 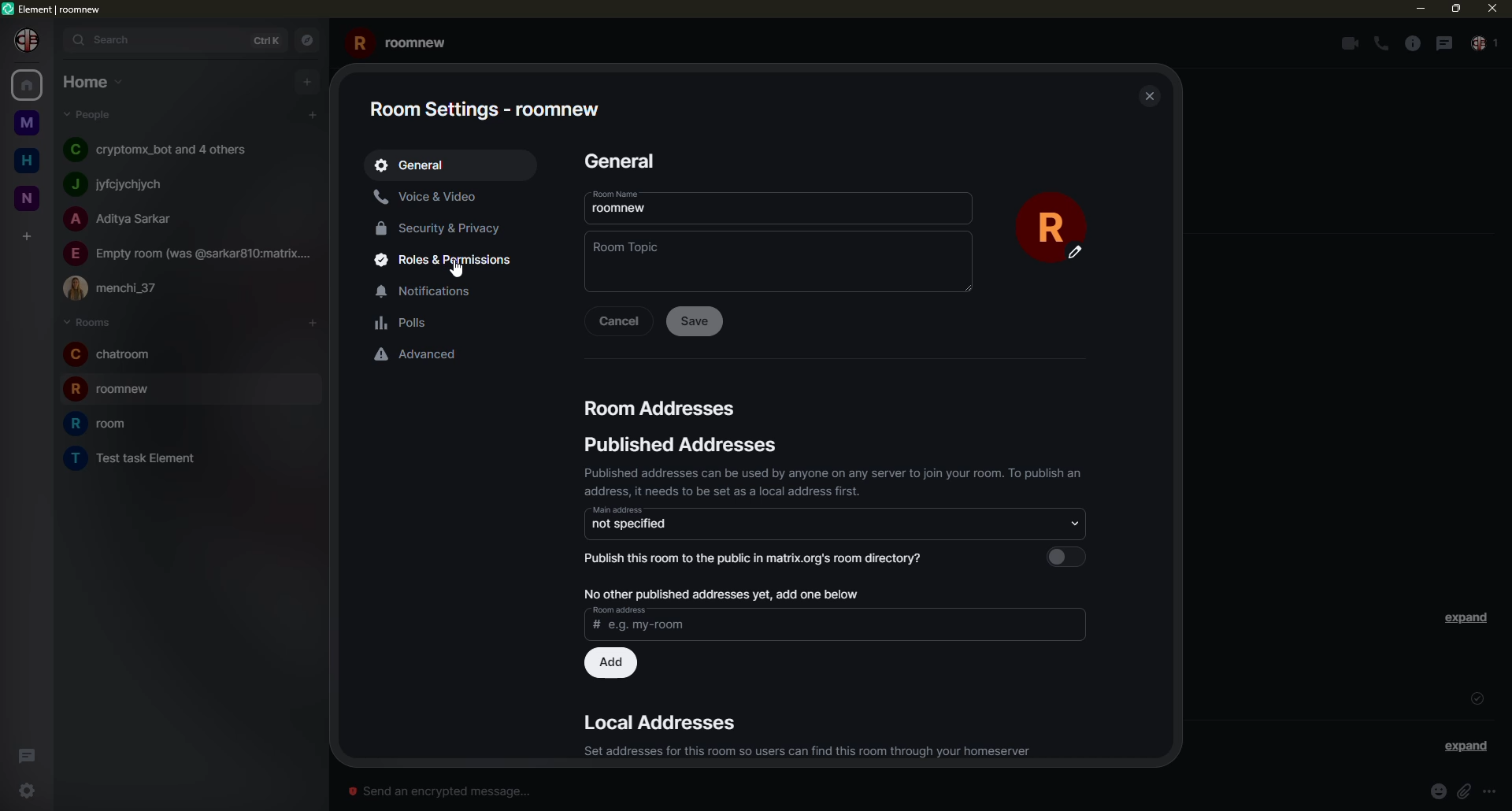 What do you see at coordinates (432, 198) in the screenshot?
I see `voice` at bounding box center [432, 198].